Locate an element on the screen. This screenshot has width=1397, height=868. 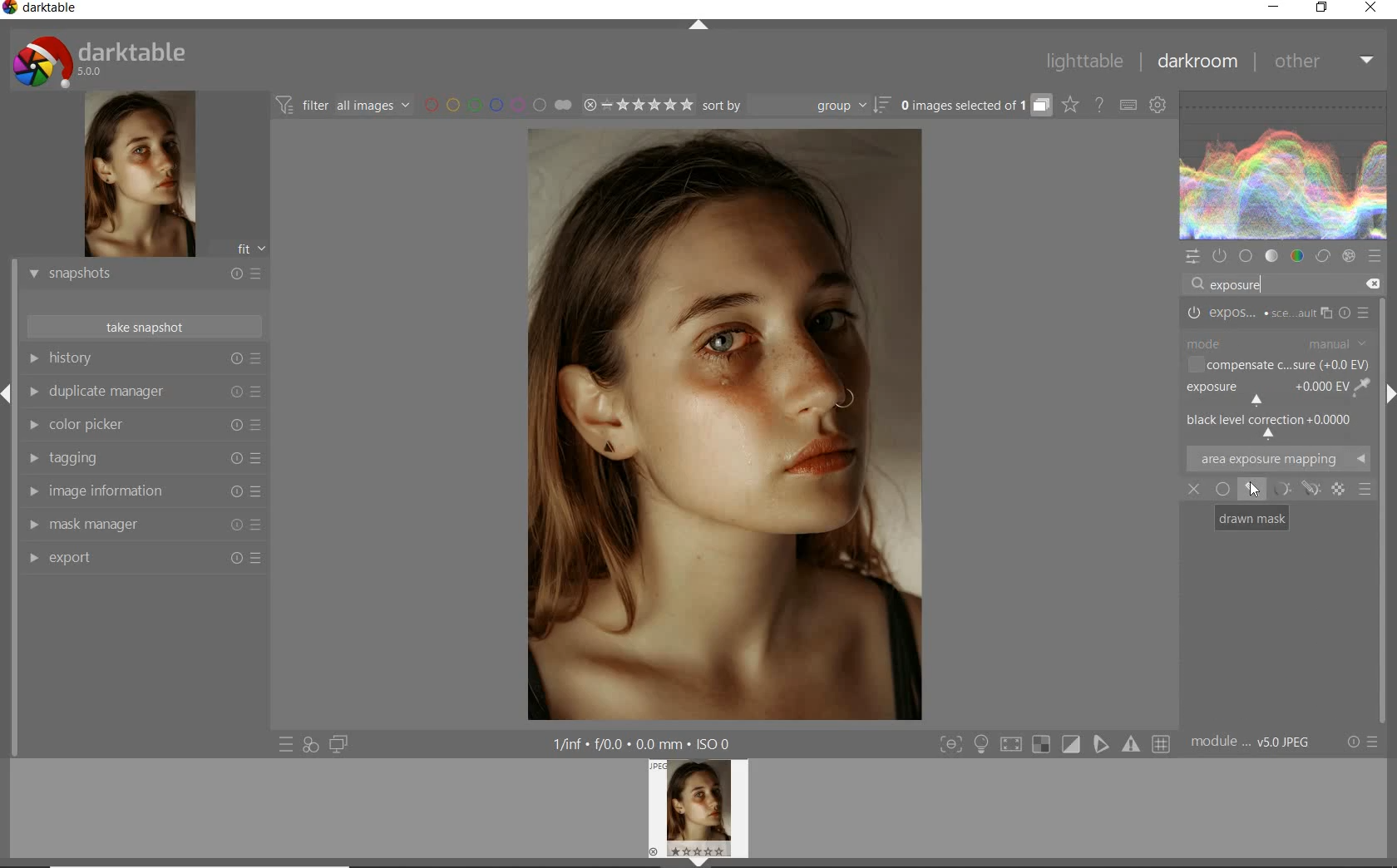
change overlays shown on thumbnails is located at coordinates (1069, 106).